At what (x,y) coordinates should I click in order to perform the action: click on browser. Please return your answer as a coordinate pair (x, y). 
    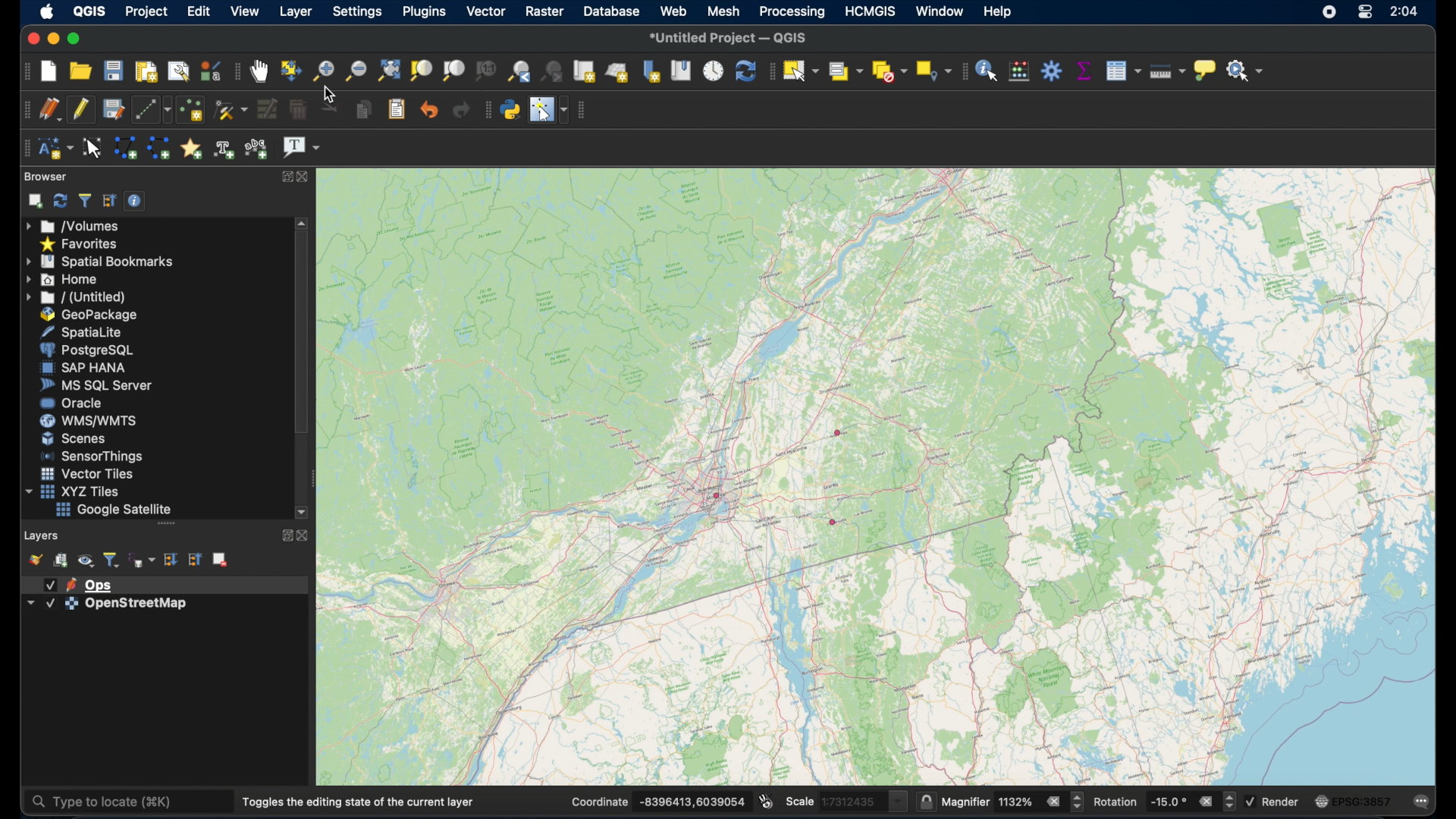
    Looking at the image, I should click on (44, 176).